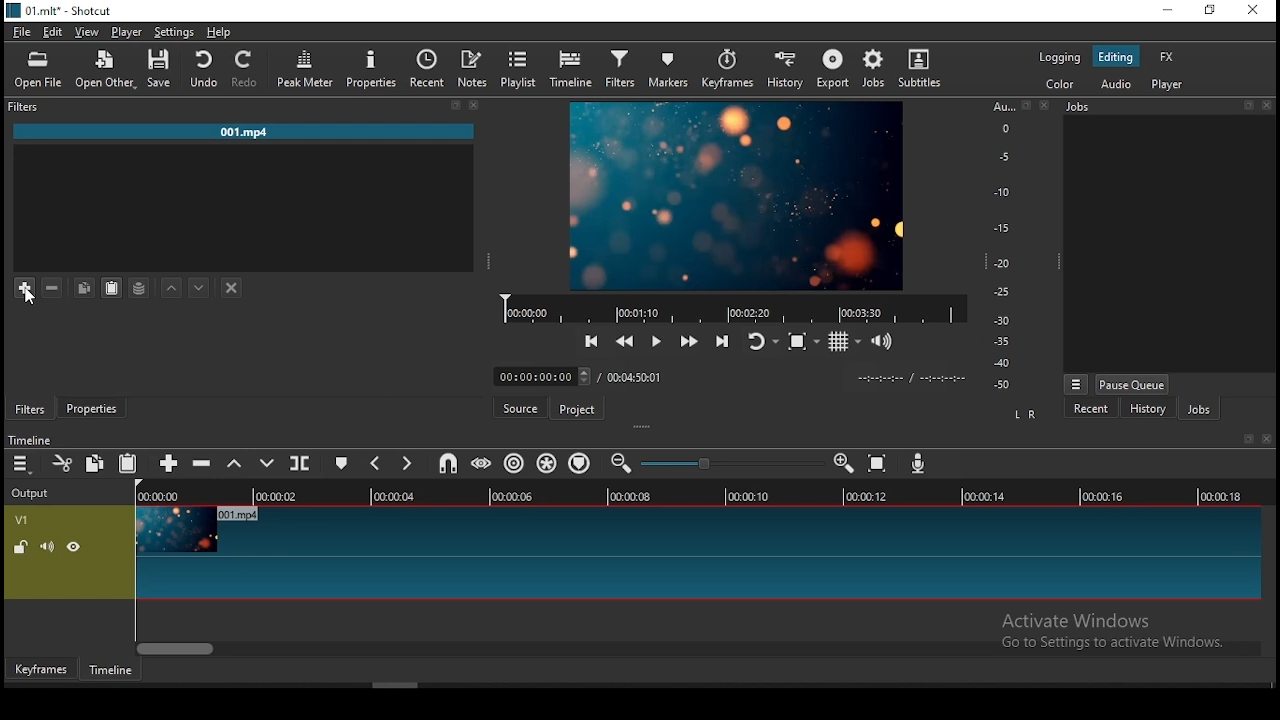 This screenshot has width=1280, height=720. Describe the element at coordinates (449, 463) in the screenshot. I see `snap` at that location.